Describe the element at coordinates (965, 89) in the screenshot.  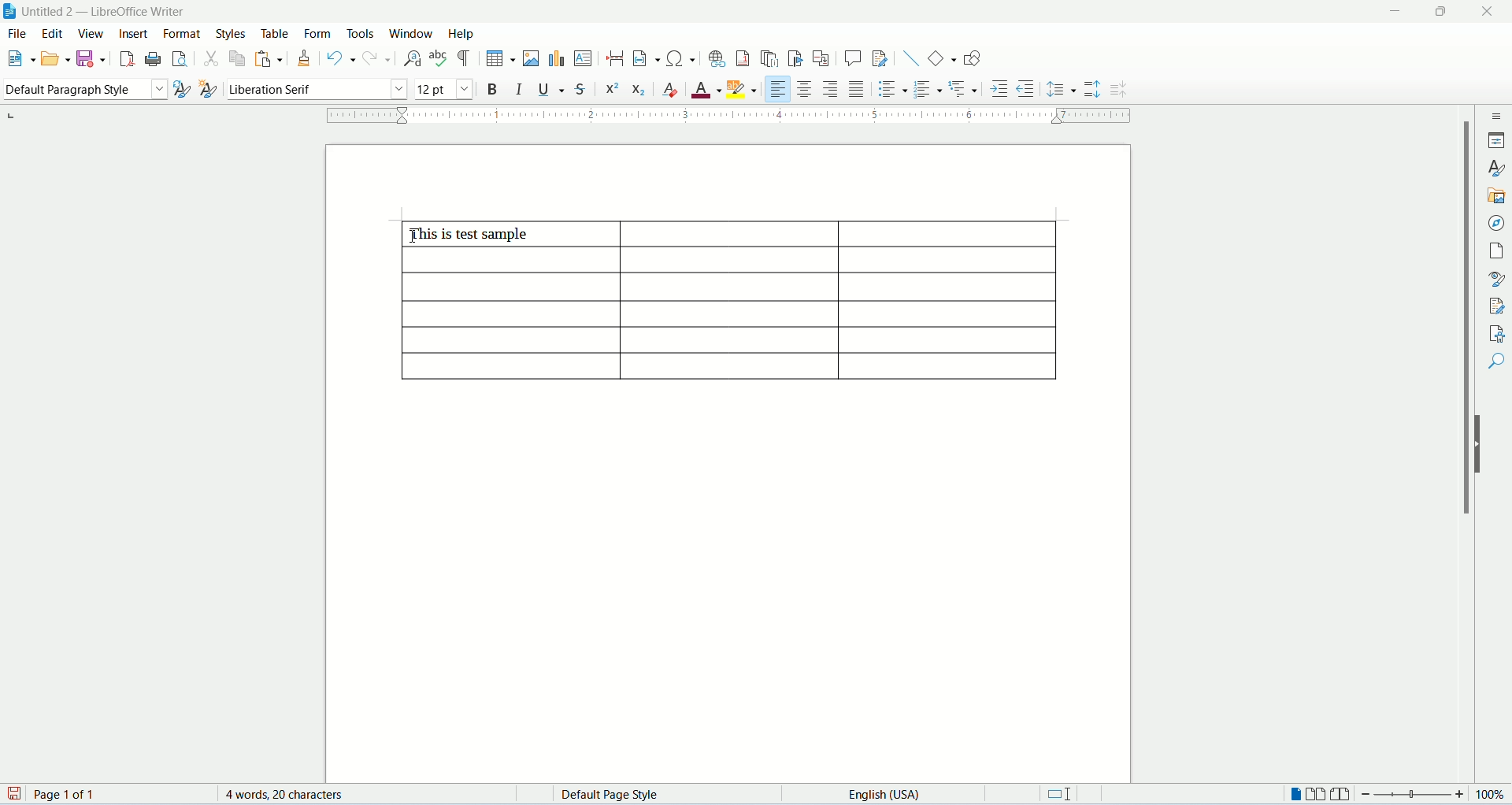
I see `outline format` at that location.